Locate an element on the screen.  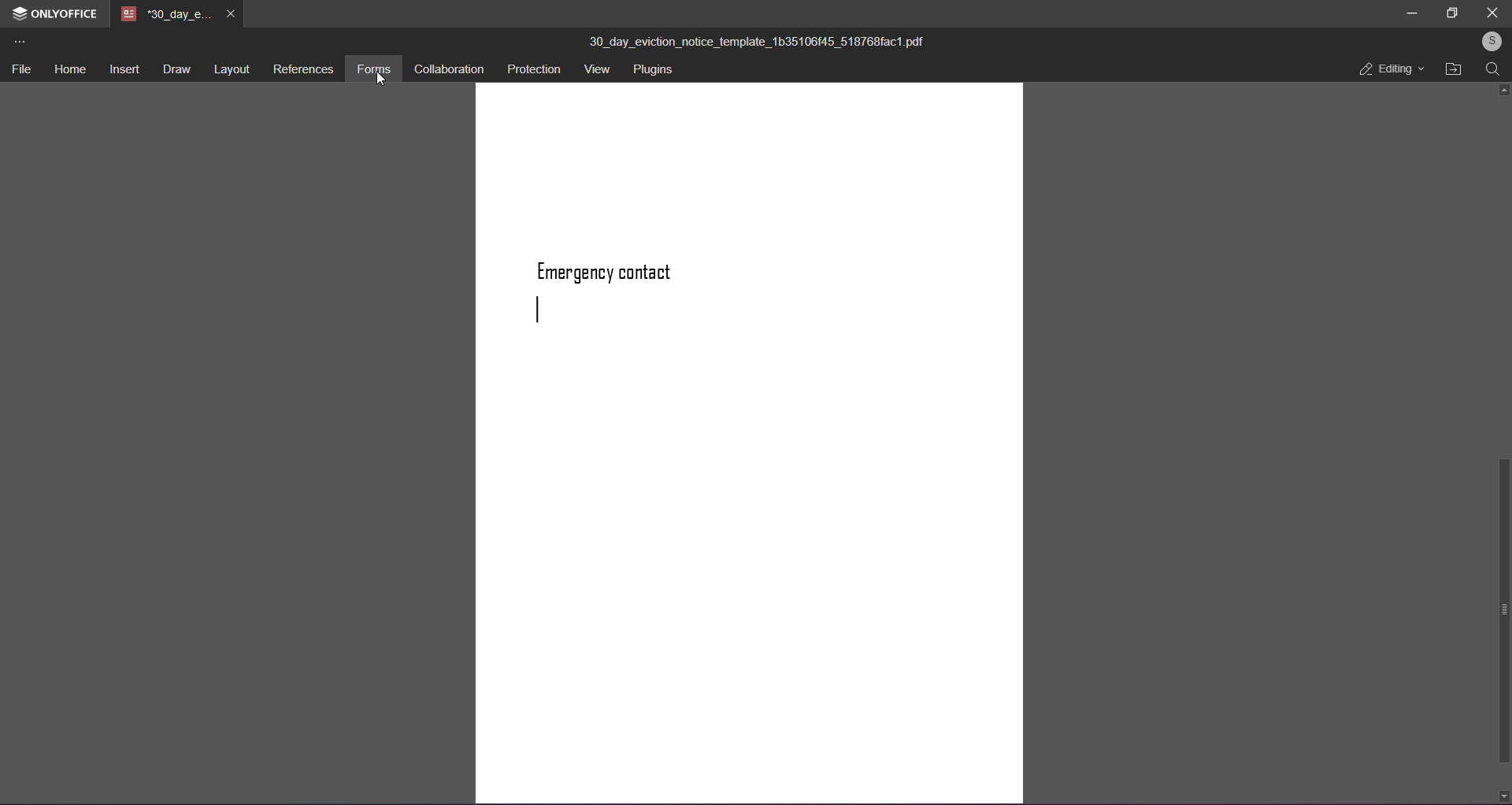
minimize is located at coordinates (1412, 13).